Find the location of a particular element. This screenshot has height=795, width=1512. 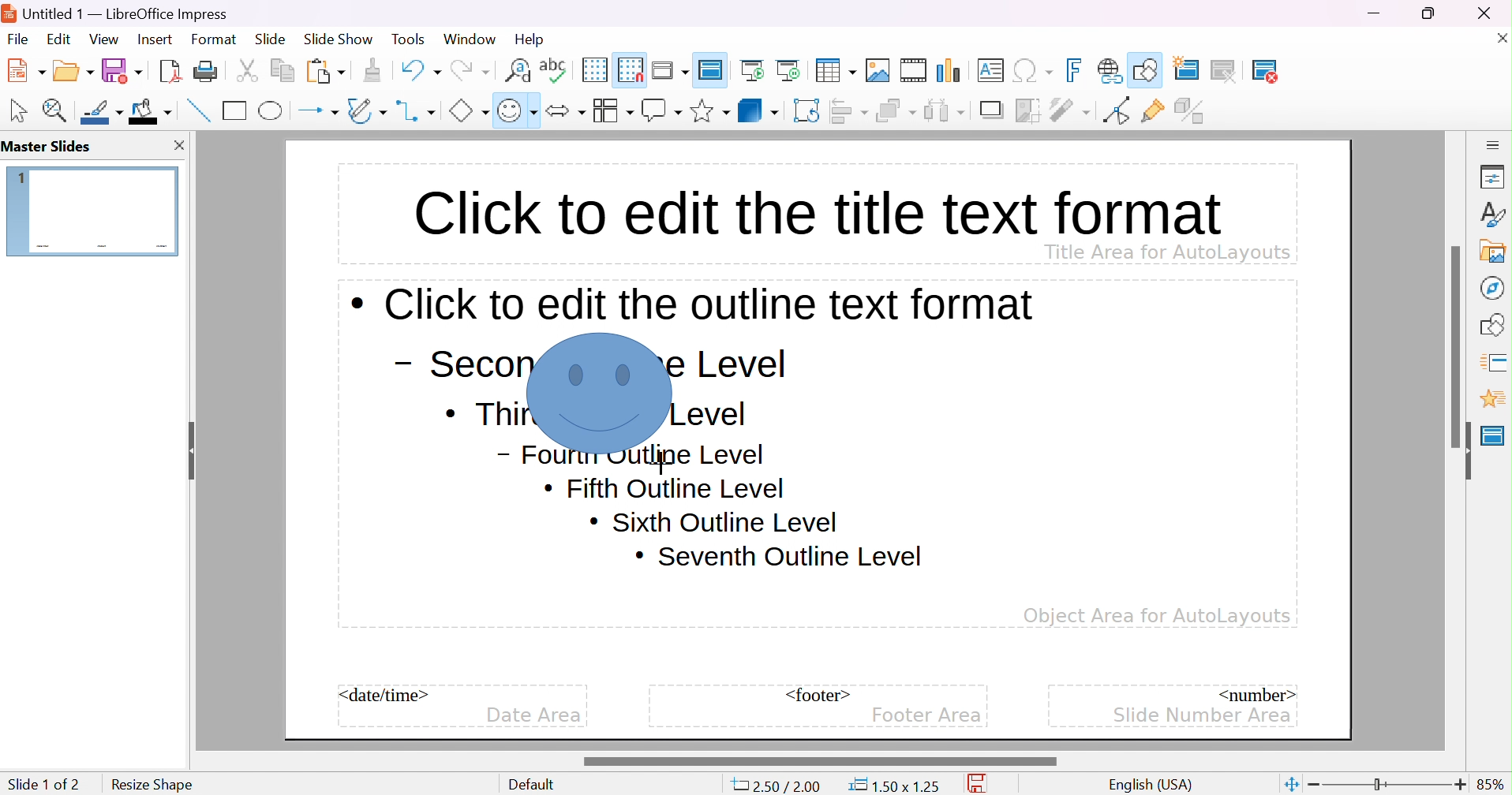

find and replace is located at coordinates (518, 69).